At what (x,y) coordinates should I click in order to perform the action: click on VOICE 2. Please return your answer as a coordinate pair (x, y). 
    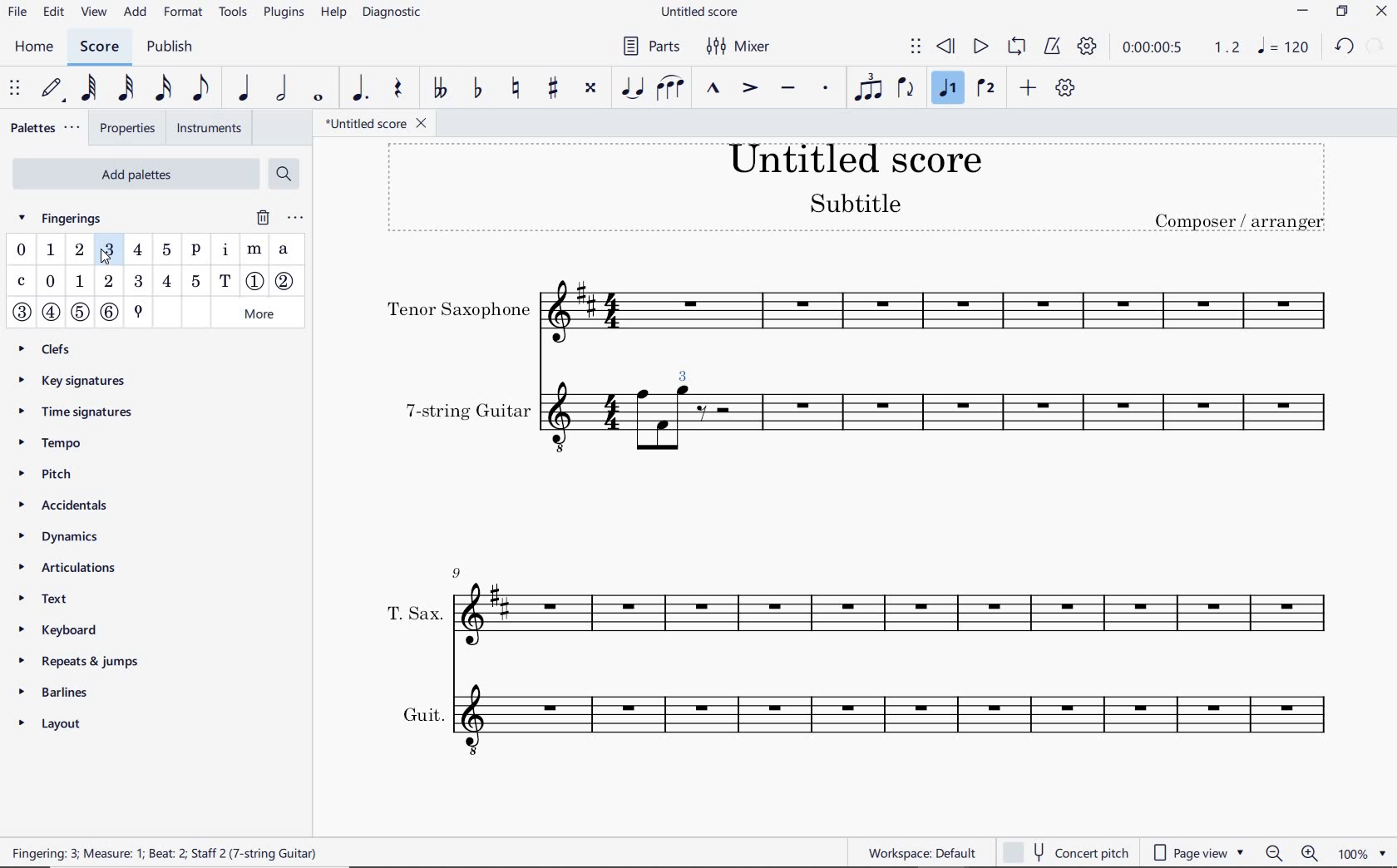
    Looking at the image, I should click on (985, 89).